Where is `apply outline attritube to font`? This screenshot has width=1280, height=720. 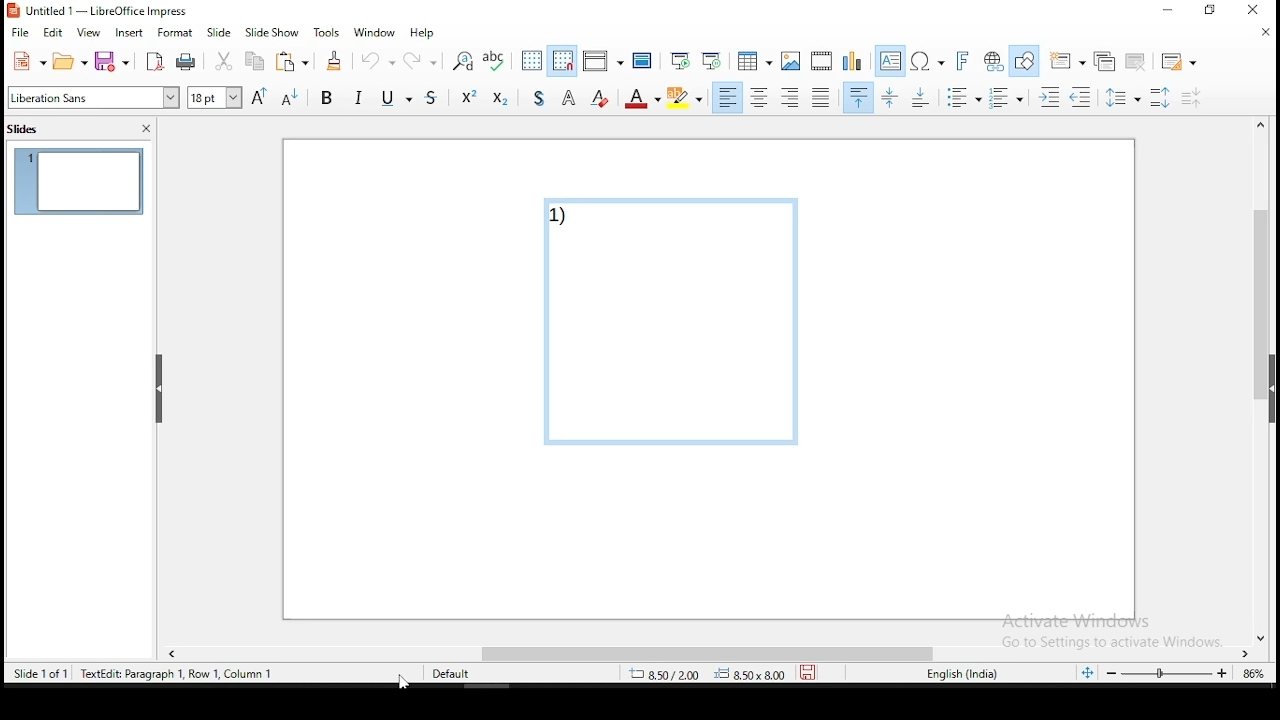 apply outline attritube to font is located at coordinates (566, 98).